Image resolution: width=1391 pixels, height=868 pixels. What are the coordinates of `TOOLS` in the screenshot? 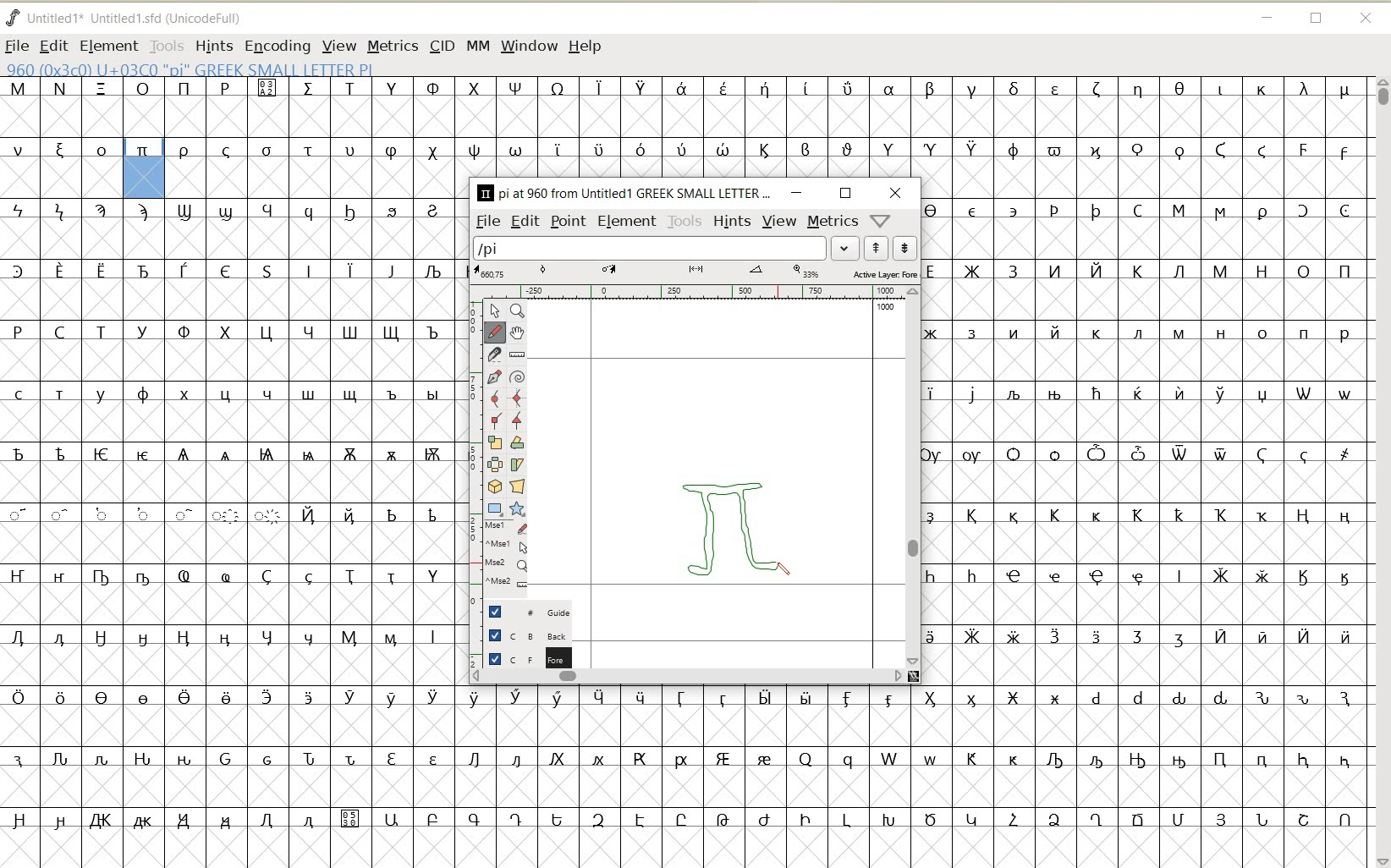 It's located at (683, 222).